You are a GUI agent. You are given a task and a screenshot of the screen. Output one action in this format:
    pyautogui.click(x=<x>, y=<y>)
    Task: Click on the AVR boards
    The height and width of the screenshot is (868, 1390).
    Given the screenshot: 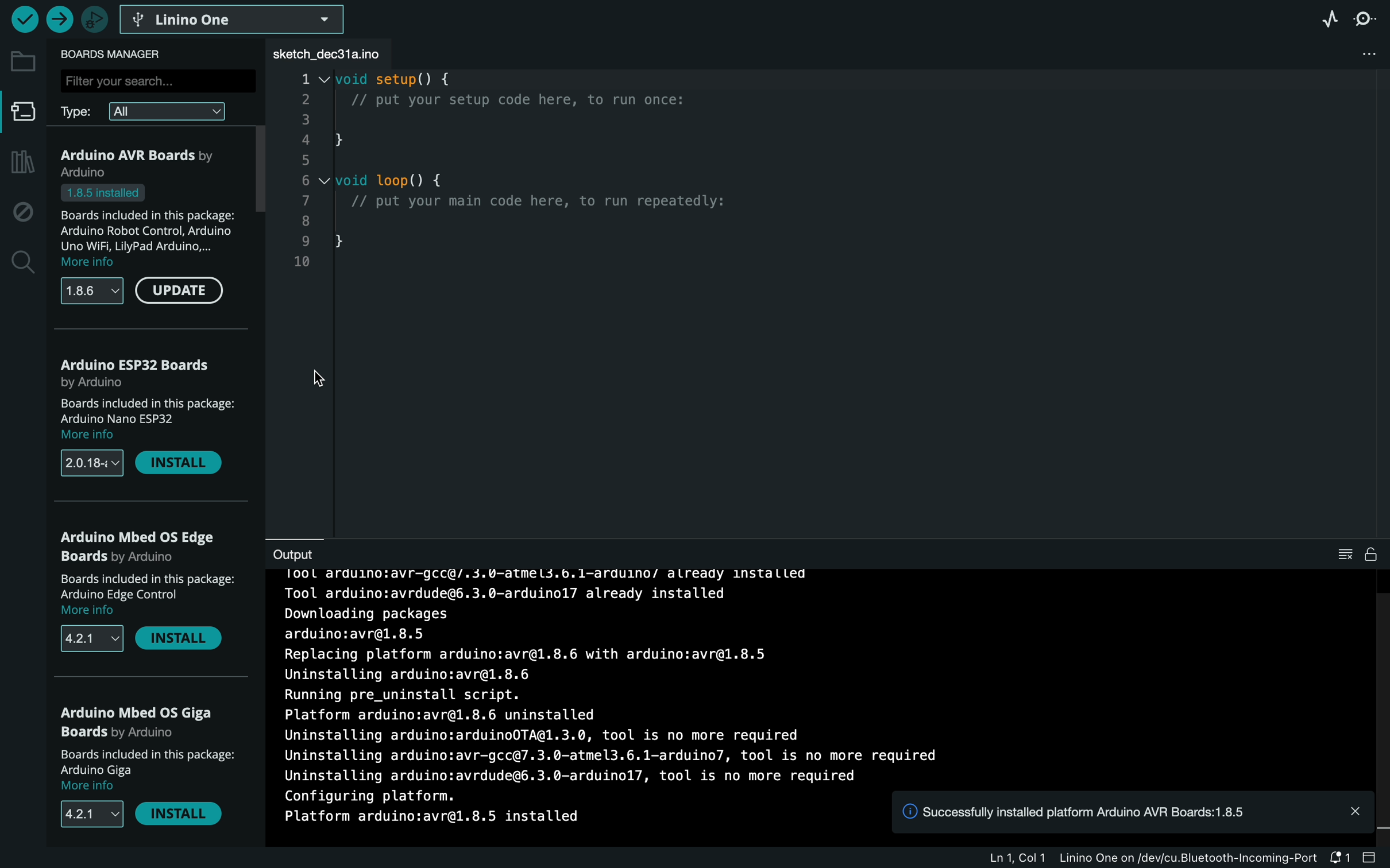 What is the action you would take?
    pyautogui.click(x=154, y=162)
    